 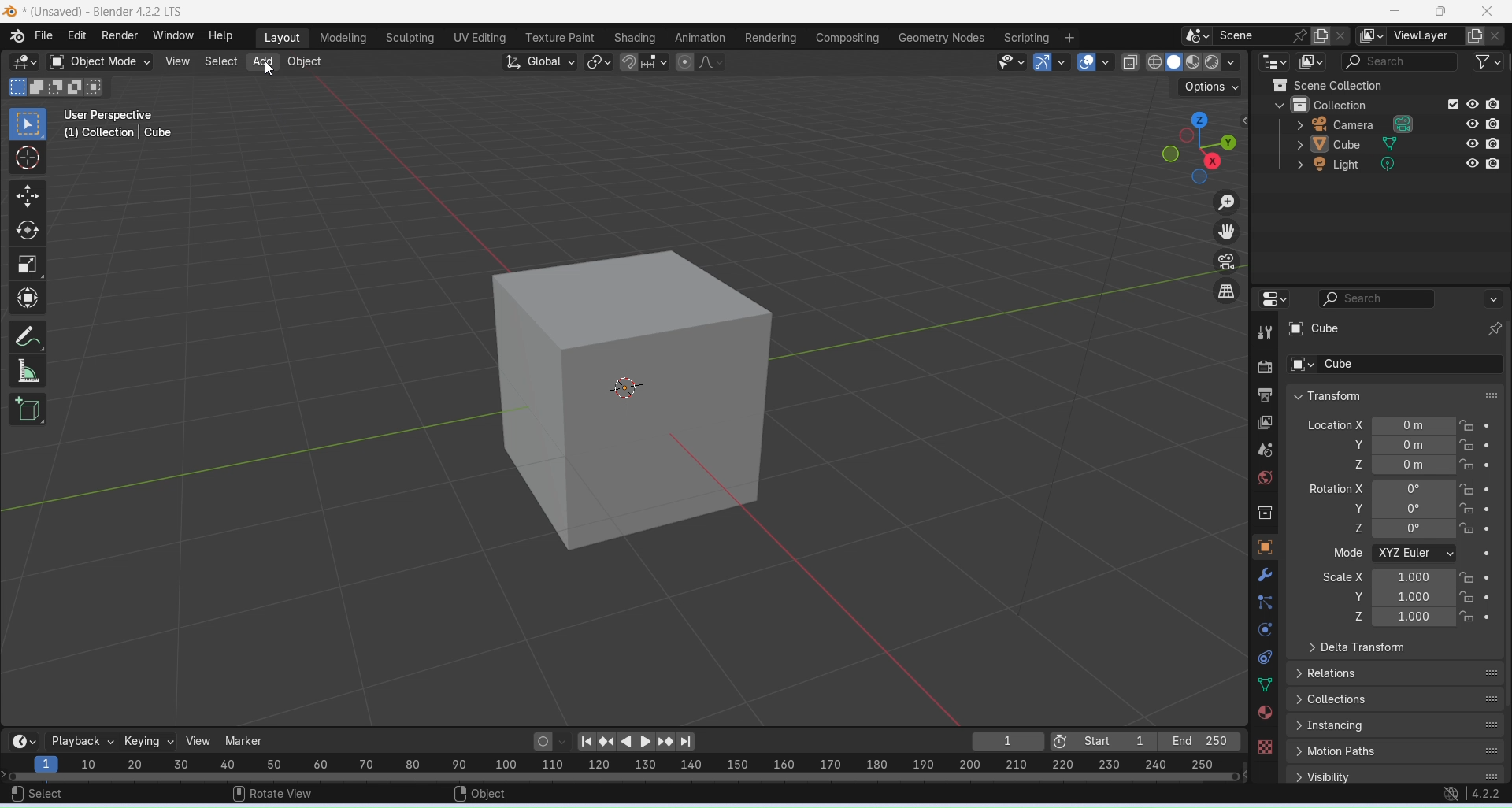 What do you see at coordinates (1432, 425) in the screenshot?
I see `Location` at bounding box center [1432, 425].